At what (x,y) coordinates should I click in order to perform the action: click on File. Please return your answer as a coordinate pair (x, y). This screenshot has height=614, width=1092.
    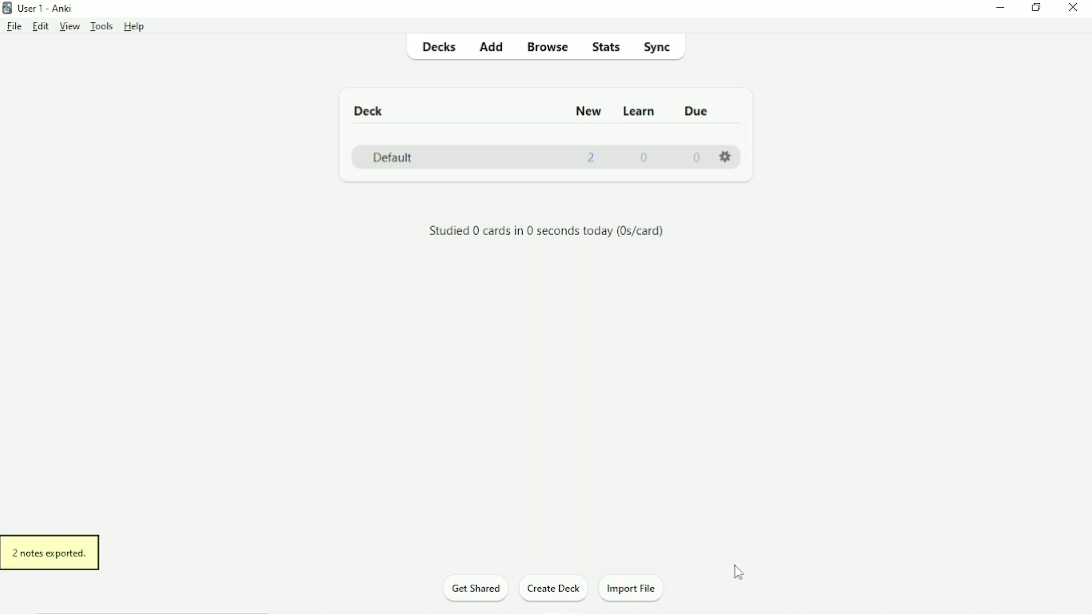
    Looking at the image, I should click on (14, 27).